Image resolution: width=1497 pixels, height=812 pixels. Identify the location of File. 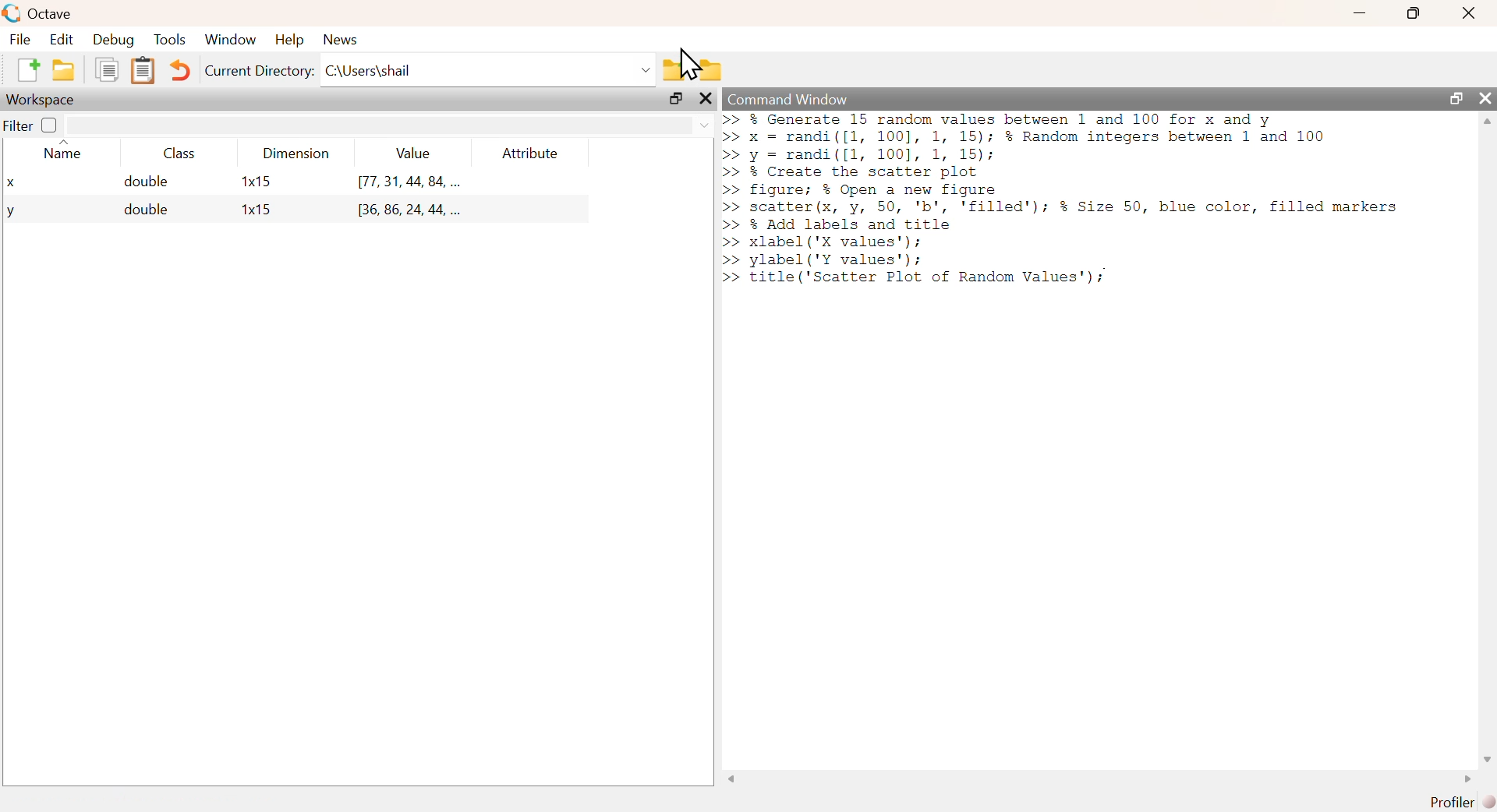
(19, 39).